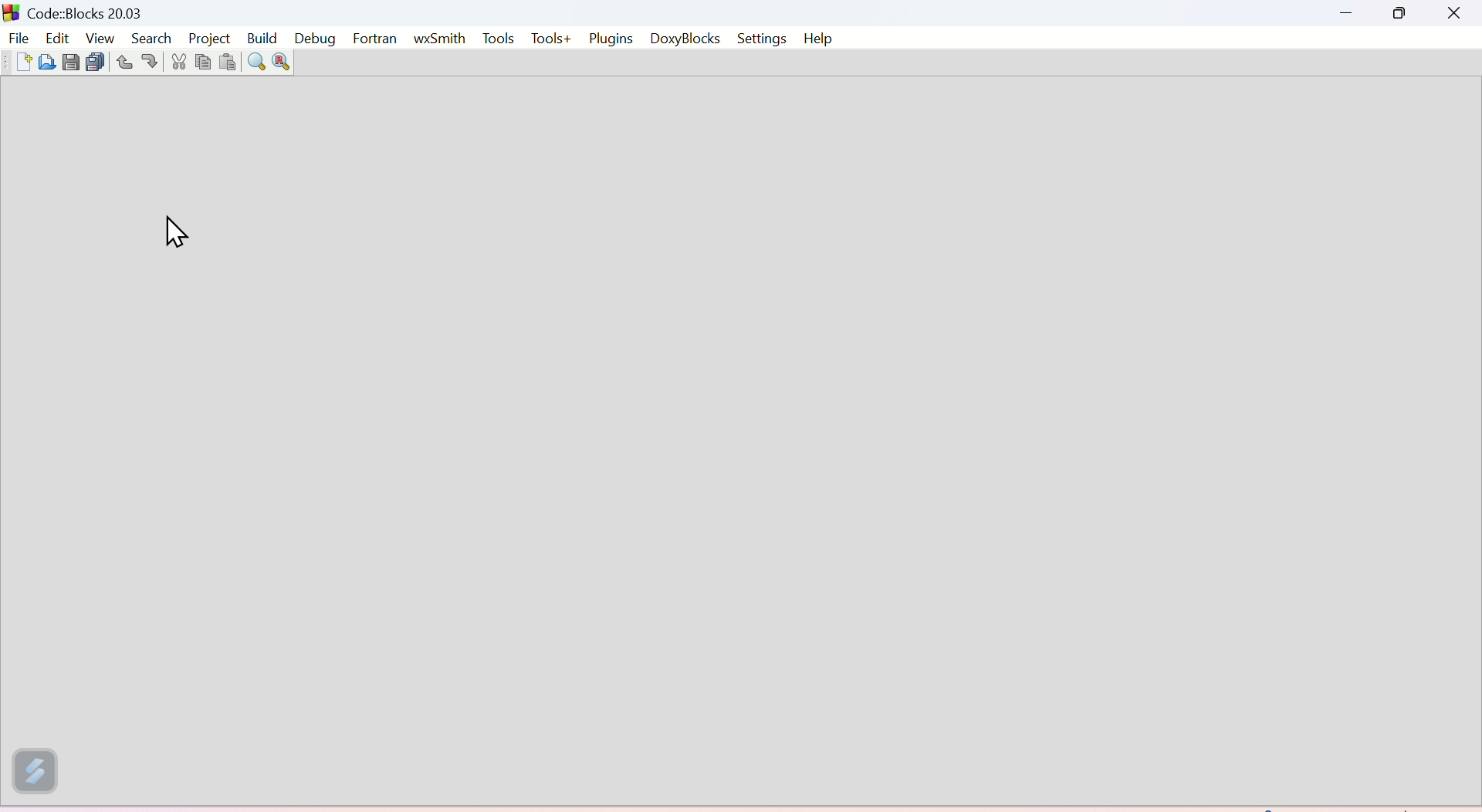 Image resolution: width=1482 pixels, height=812 pixels. I want to click on , so click(92, 59).